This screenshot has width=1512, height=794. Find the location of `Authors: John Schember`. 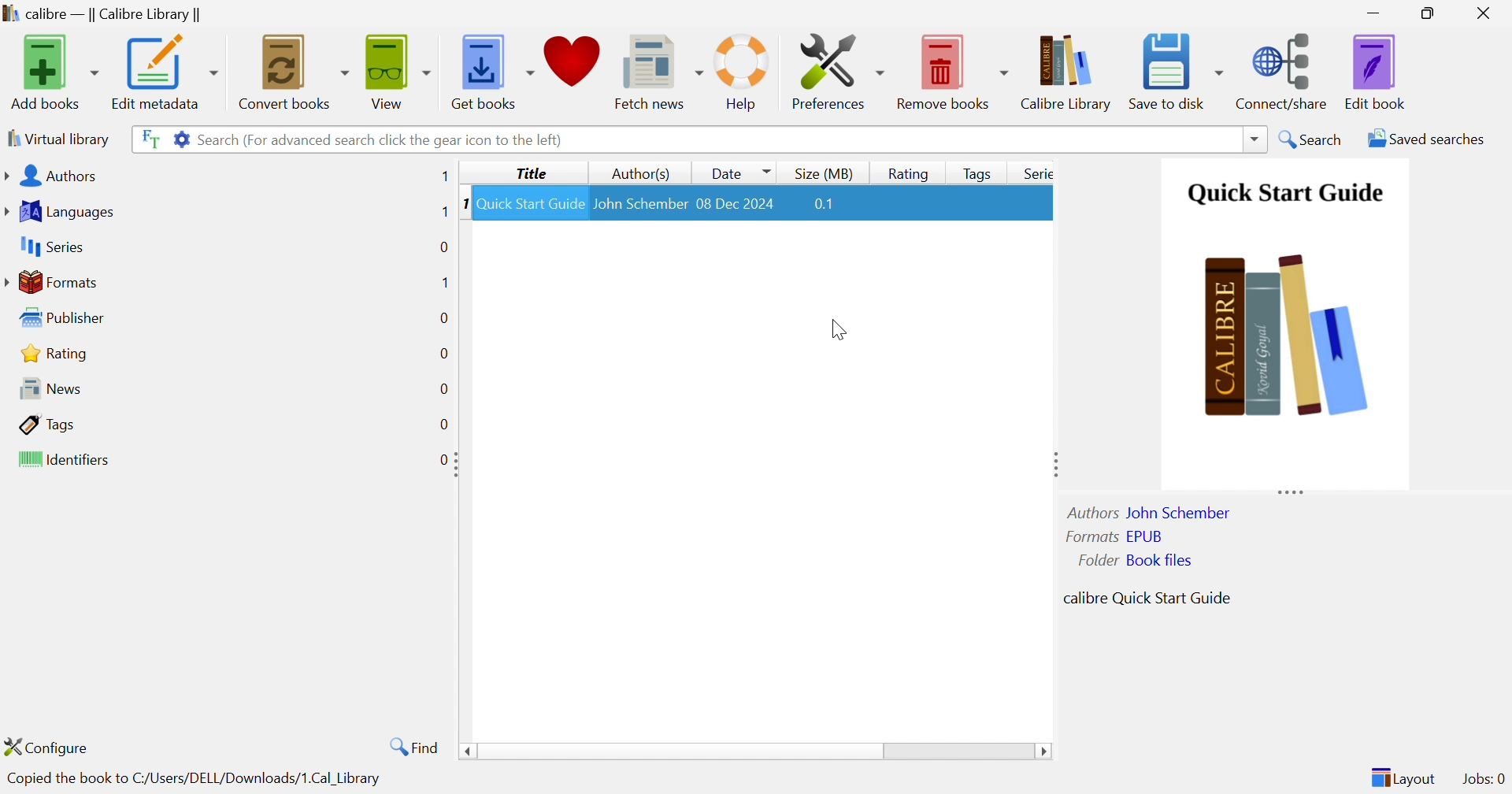

Authors: John Schember is located at coordinates (1151, 511).